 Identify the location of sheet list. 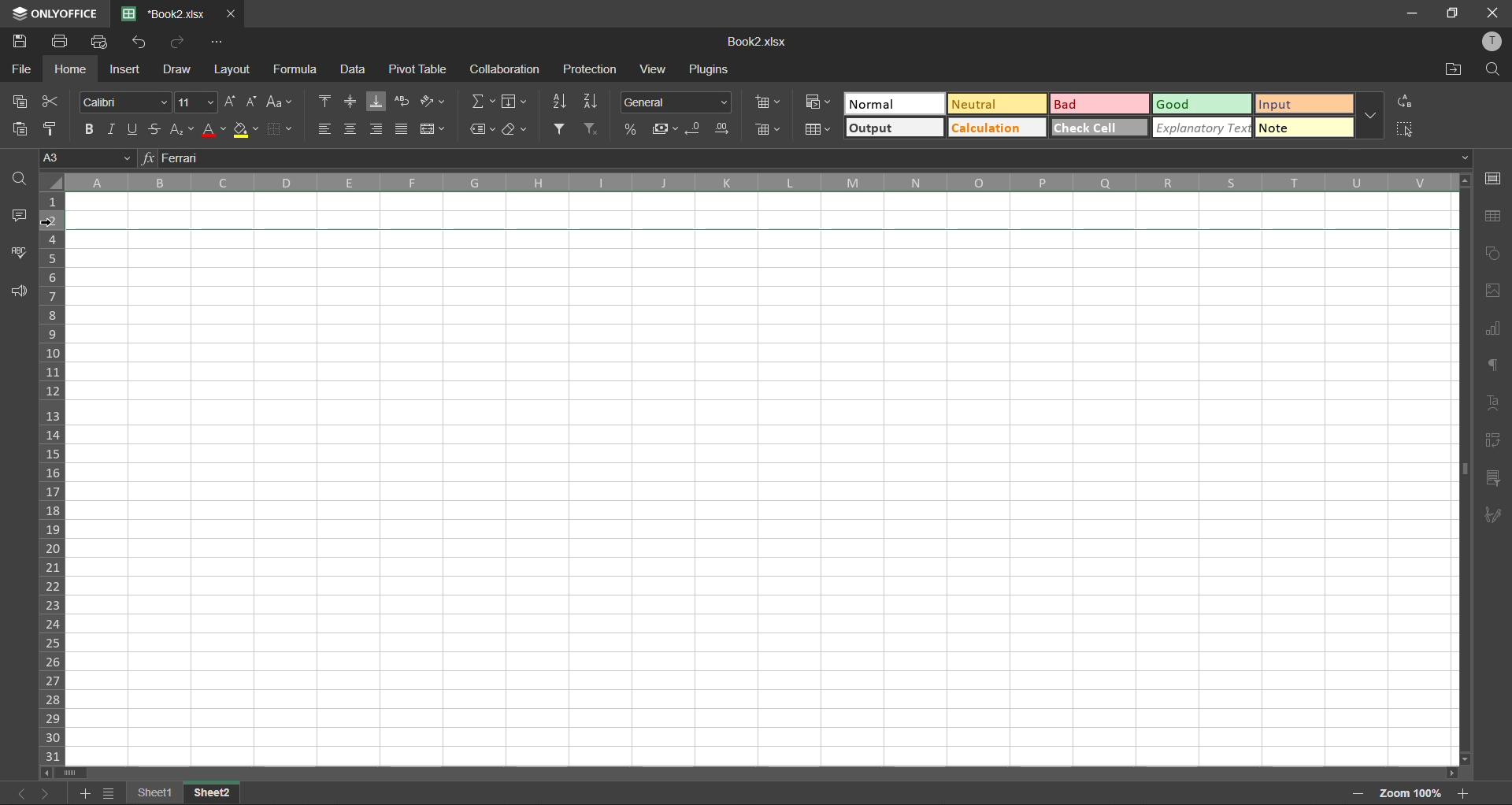
(111, 793).